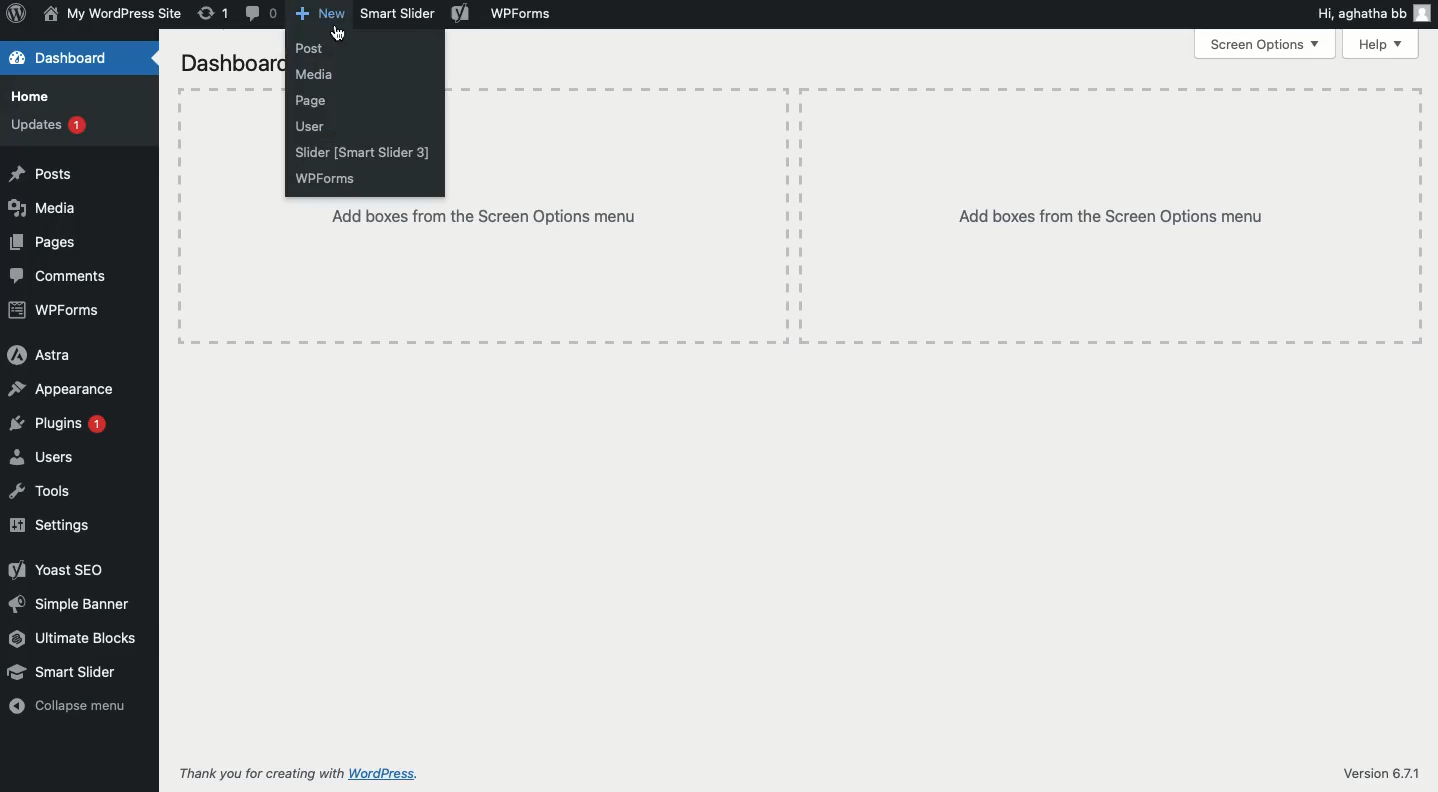 This screenshot has width=1438, height=792. What do you see at coordinates (41, 491) in the screenshot?
I see `Tools` at bounding box center [41, 491].